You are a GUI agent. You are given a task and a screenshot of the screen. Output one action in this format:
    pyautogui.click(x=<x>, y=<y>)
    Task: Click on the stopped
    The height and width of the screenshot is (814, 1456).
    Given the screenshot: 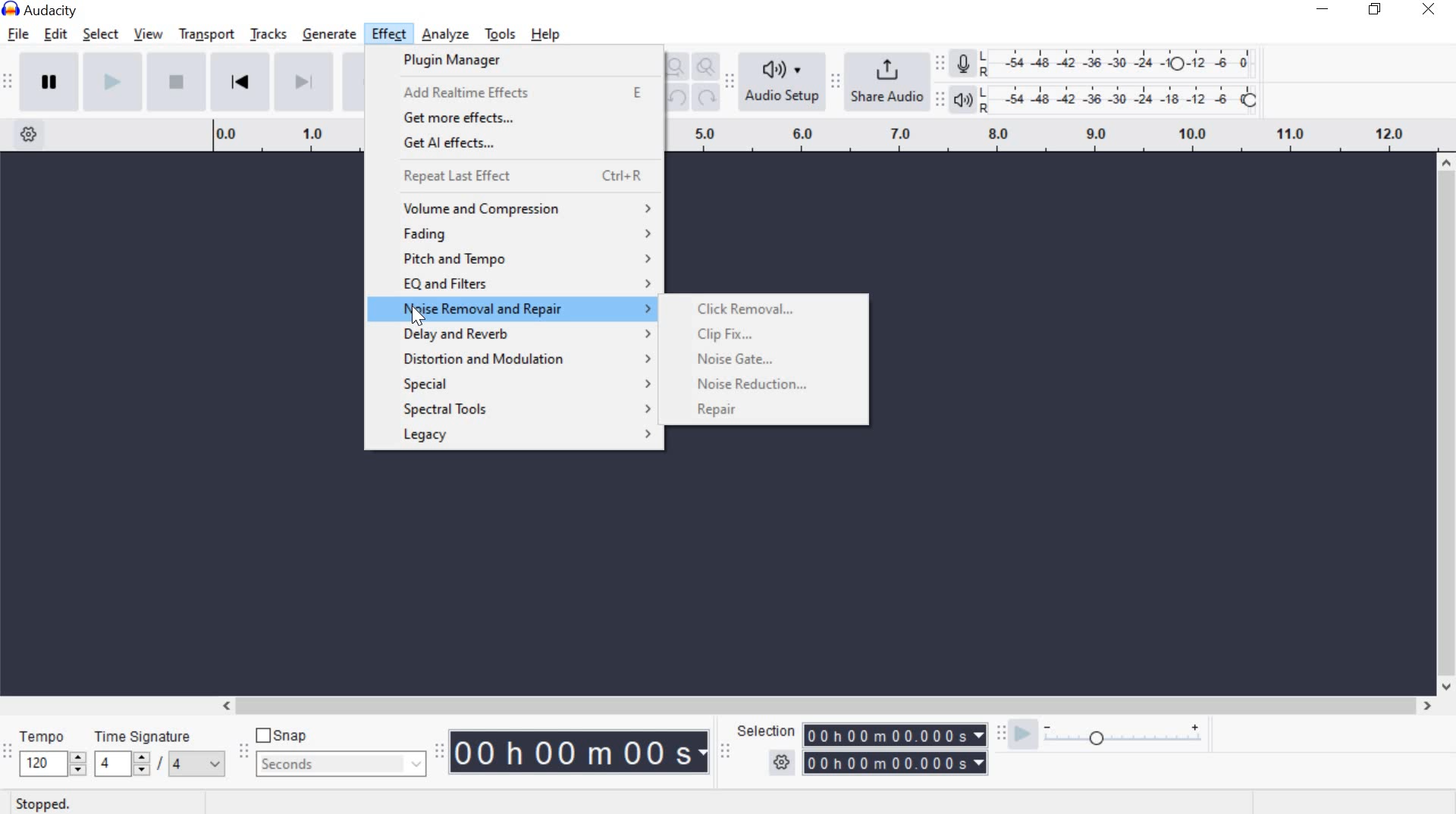 What is the action you would take?
    pyautogui.click(x=46, y=803)
    